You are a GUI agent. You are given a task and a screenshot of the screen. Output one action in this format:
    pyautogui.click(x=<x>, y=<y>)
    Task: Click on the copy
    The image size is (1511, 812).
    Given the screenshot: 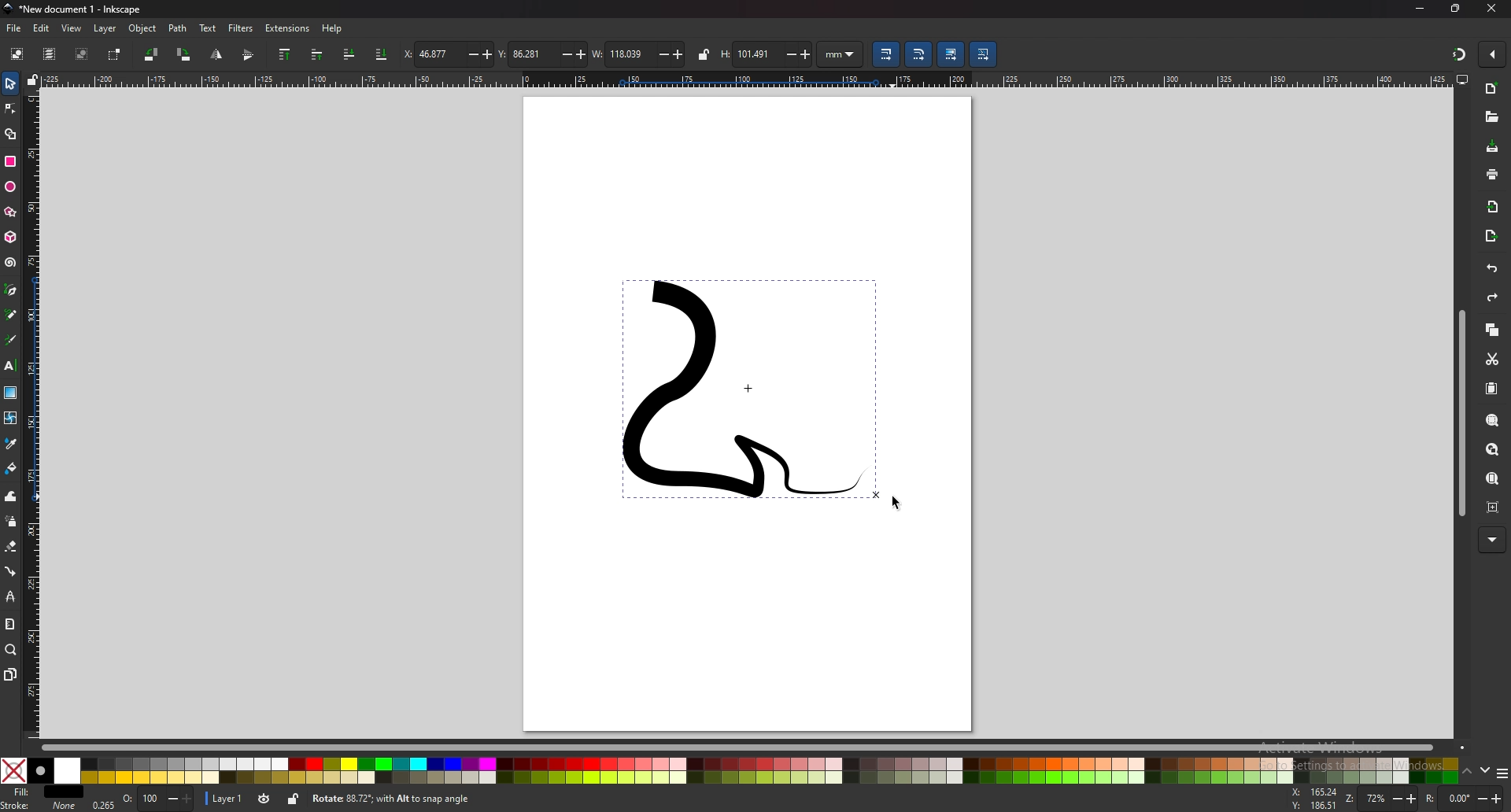 What is the action you would take?
    pyautogui.click(x=1493, y=330)
    